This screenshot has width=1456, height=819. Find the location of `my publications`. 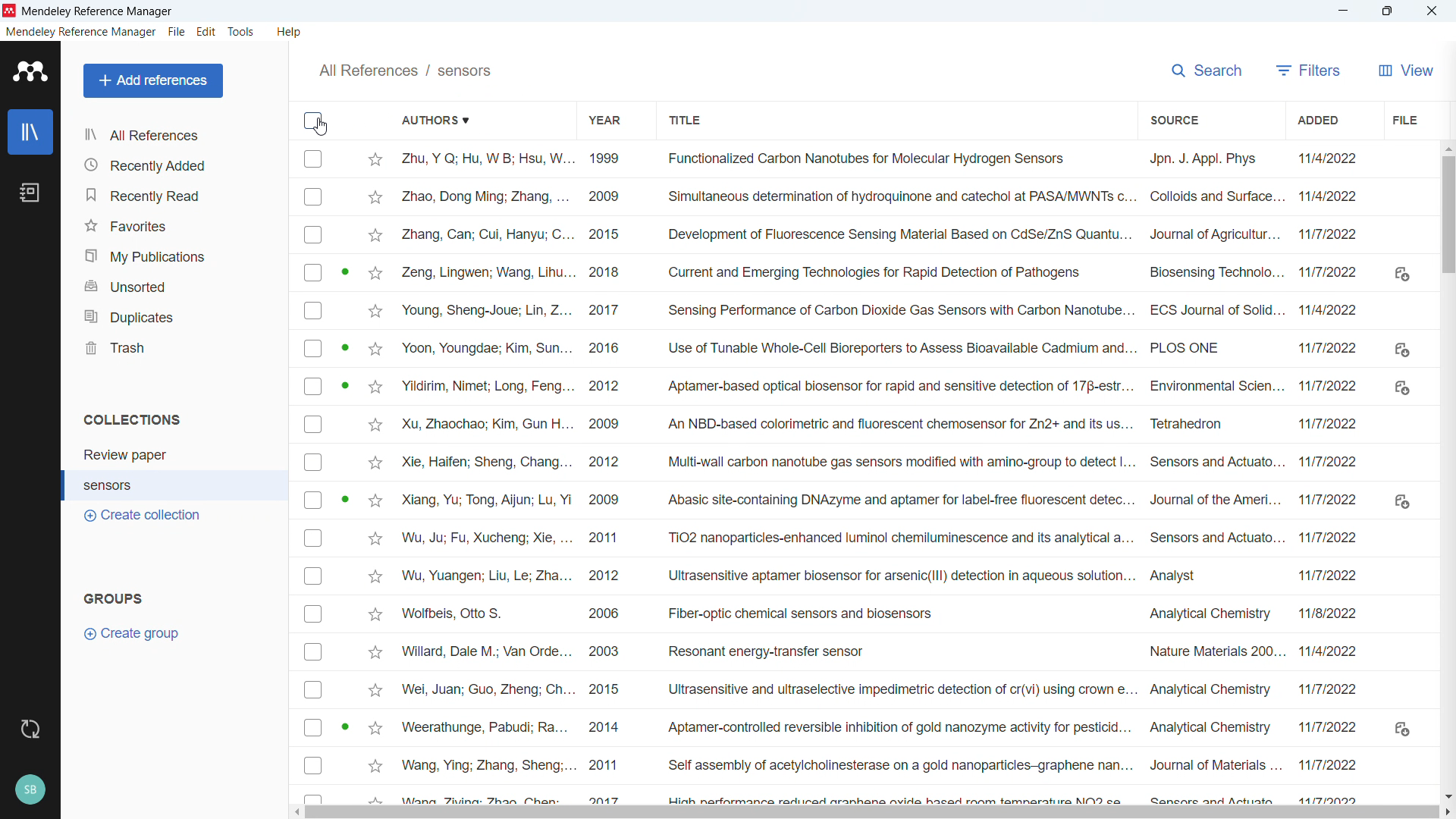

my publications is located at coordinates (175, 253).